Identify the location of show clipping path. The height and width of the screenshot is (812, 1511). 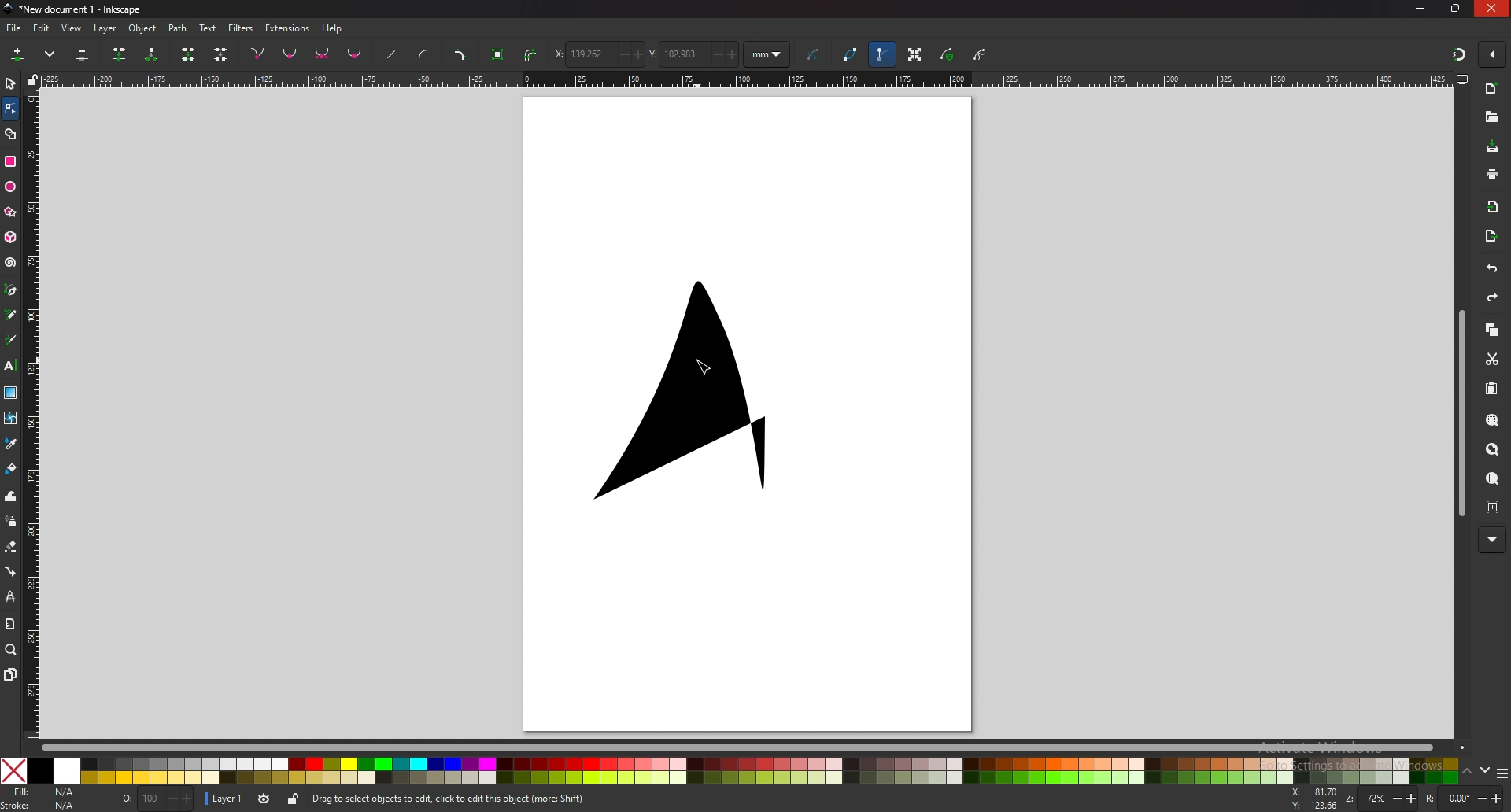
(980, 54).